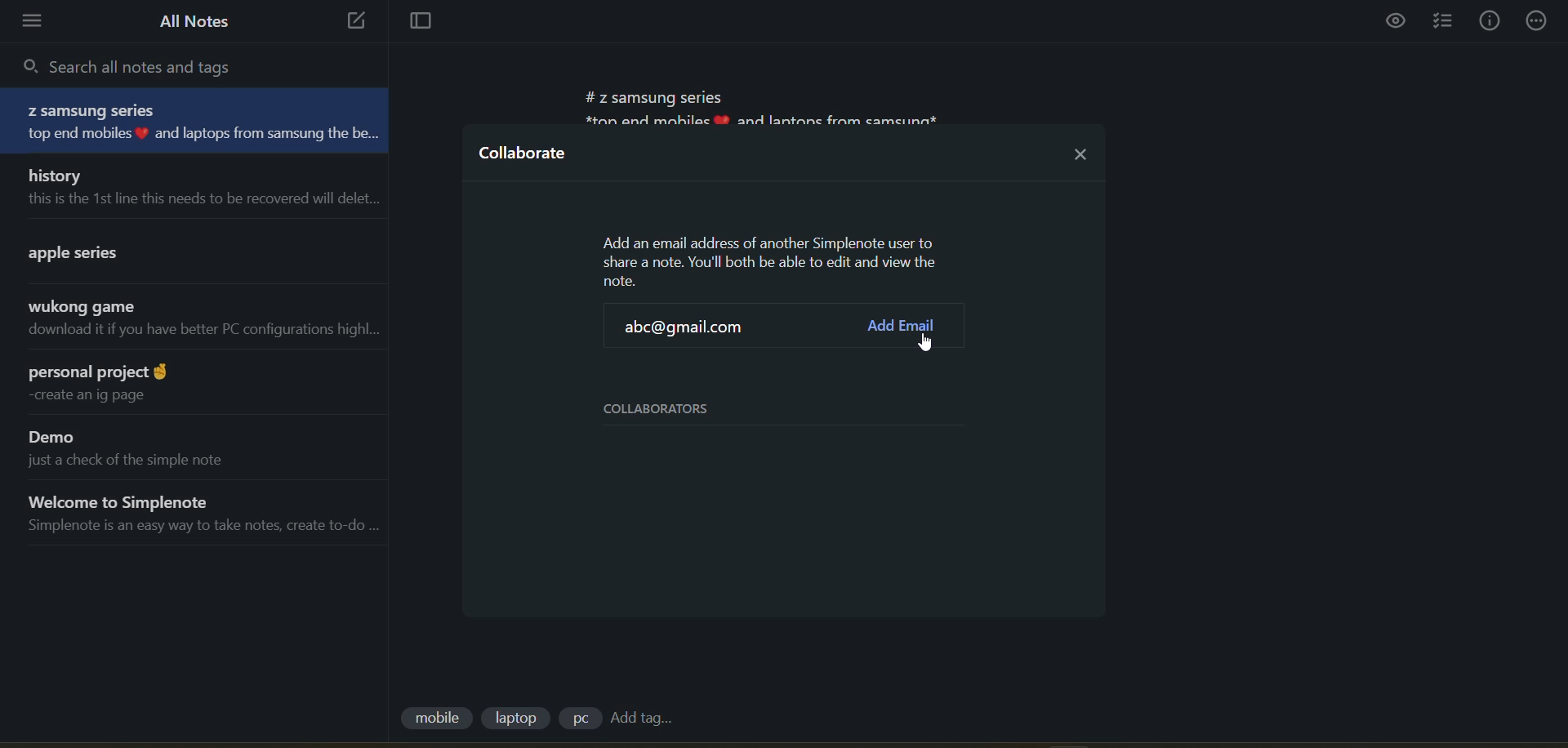 This screenshot has height=748, width=1568. What do you see at coordinates (1397, 23) in the screenshot?
I see `preview` at bounding box center [1397, 23].